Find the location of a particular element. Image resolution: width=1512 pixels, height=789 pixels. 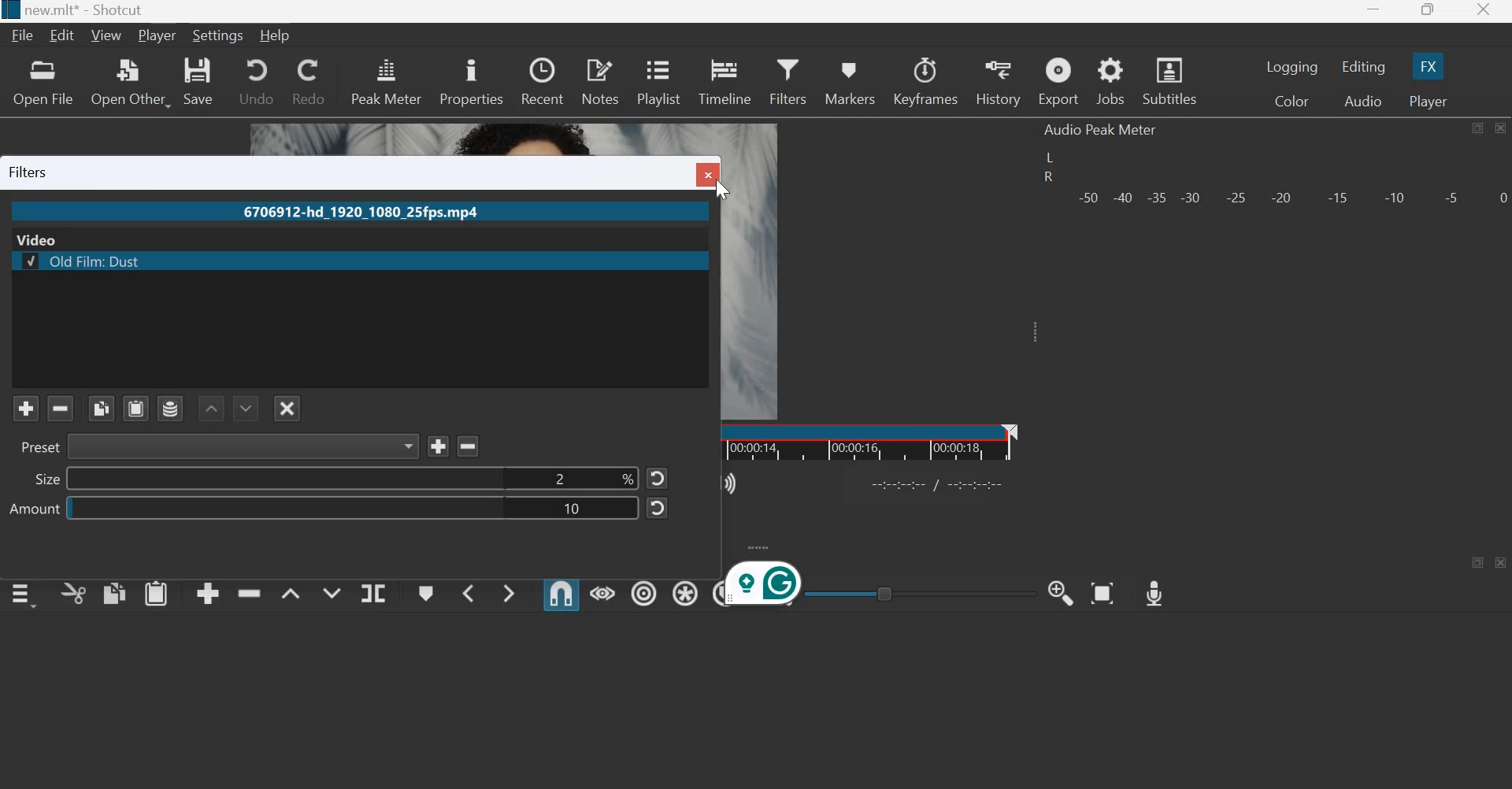

2 % is located at coordinates (352, 479).